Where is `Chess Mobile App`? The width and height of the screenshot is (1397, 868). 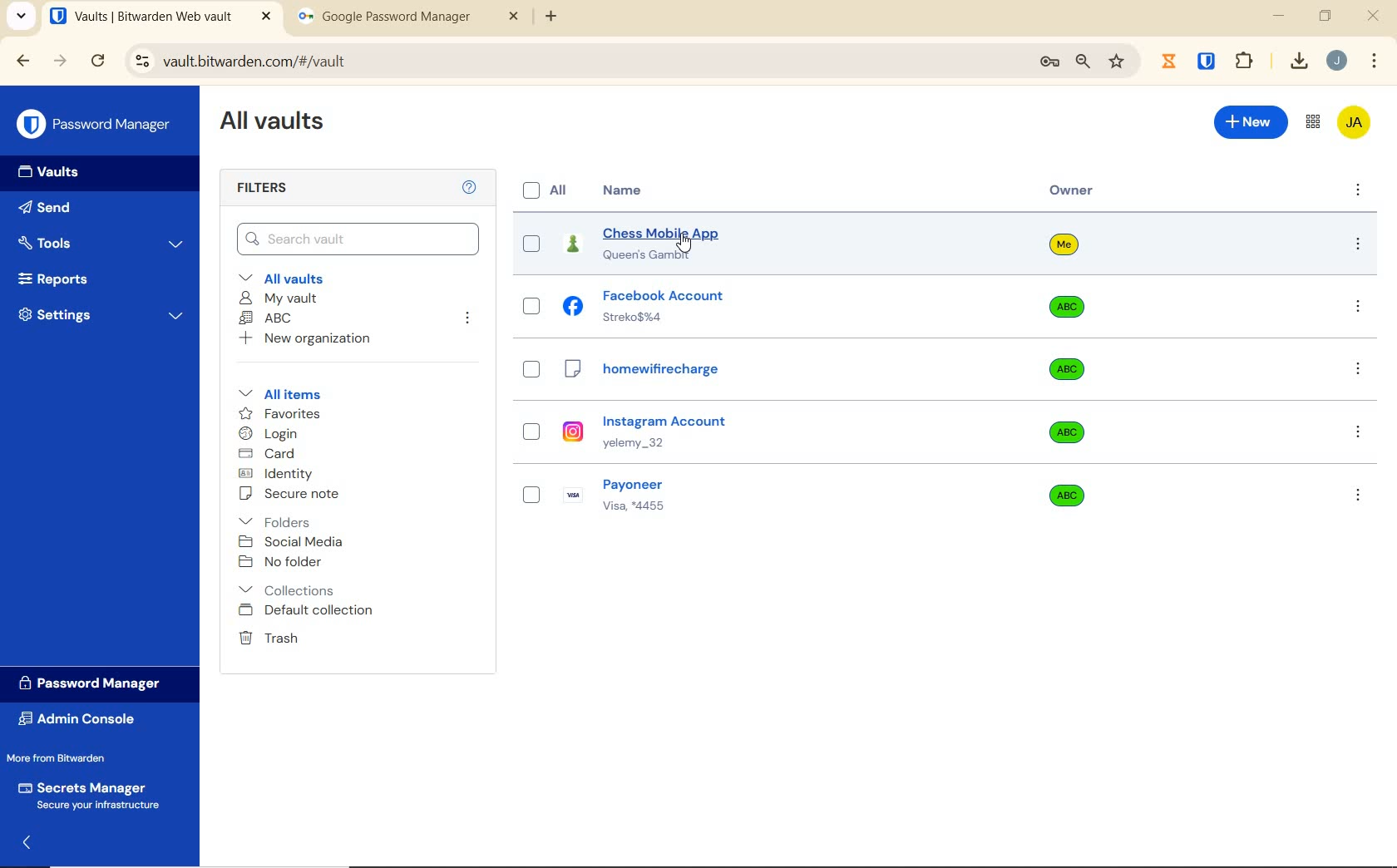
Chess Mobile App is located at coordinates (659, 229).